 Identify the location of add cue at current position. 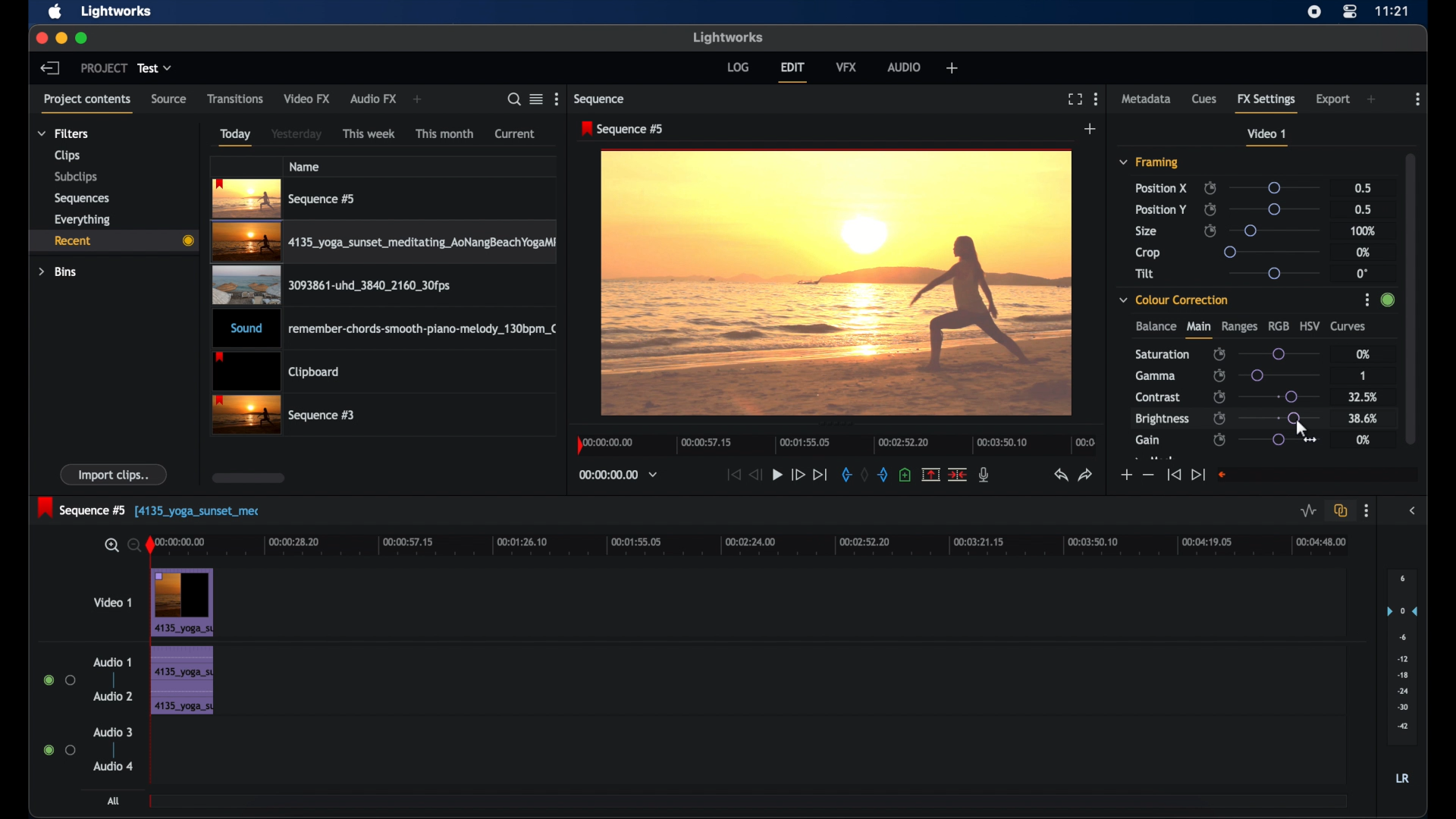
(905, 475).